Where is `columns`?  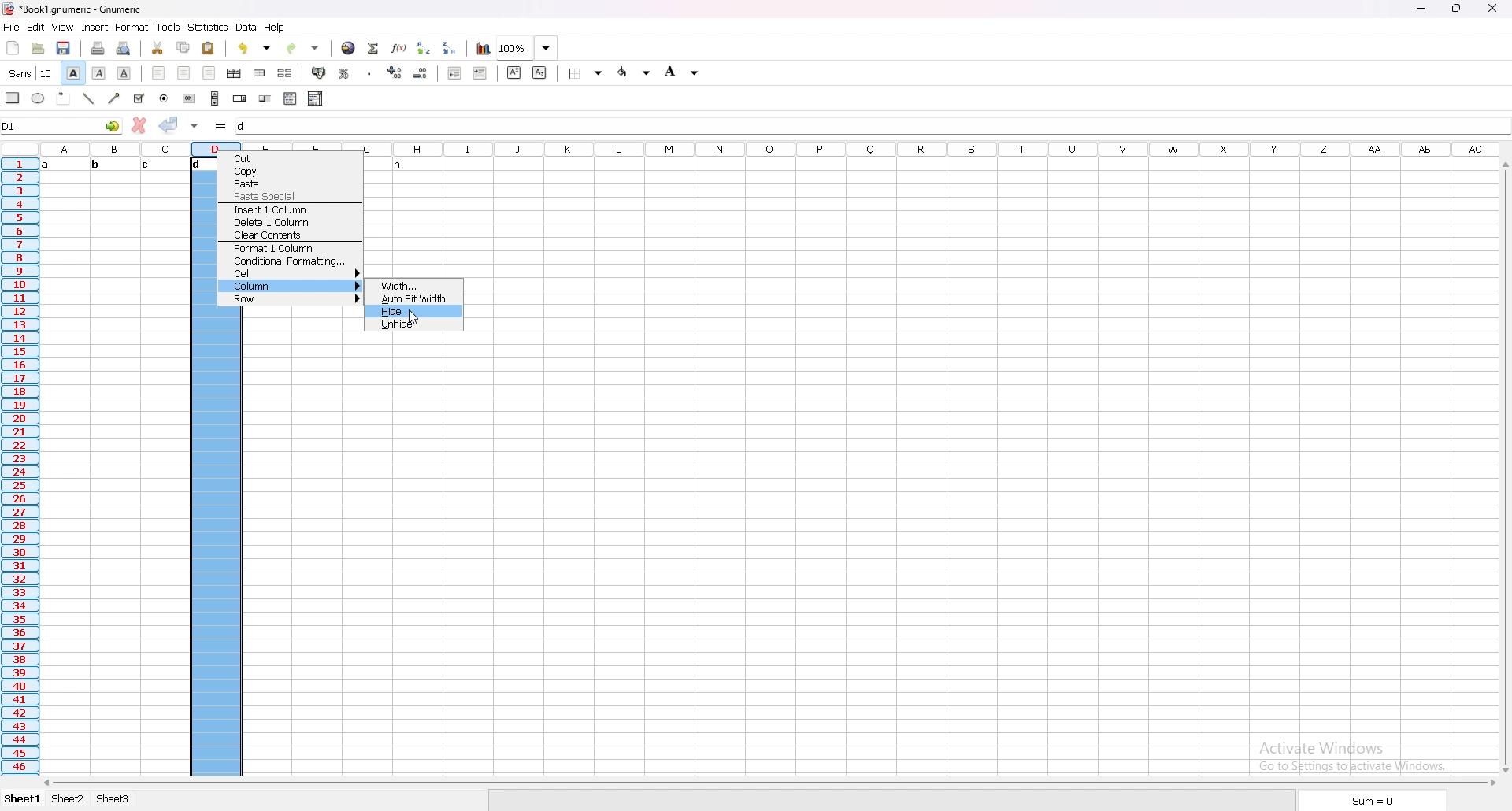 columns is located at coordinates (770, 147).